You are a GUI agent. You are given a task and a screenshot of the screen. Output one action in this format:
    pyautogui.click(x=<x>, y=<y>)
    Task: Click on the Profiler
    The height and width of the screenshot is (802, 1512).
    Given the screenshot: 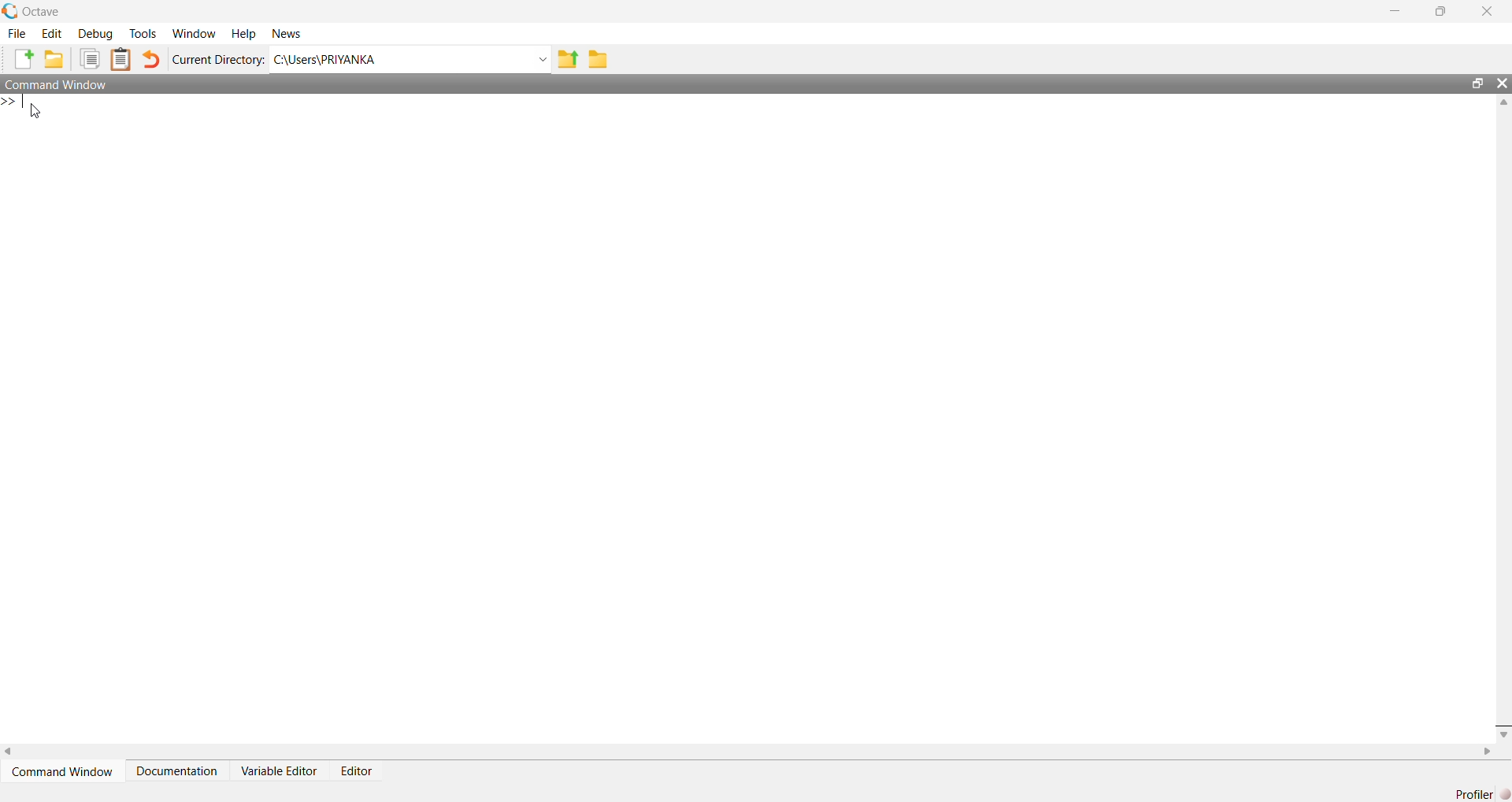 What is the action you would take?
    pyautogui.click(x=1481, y=793)
    